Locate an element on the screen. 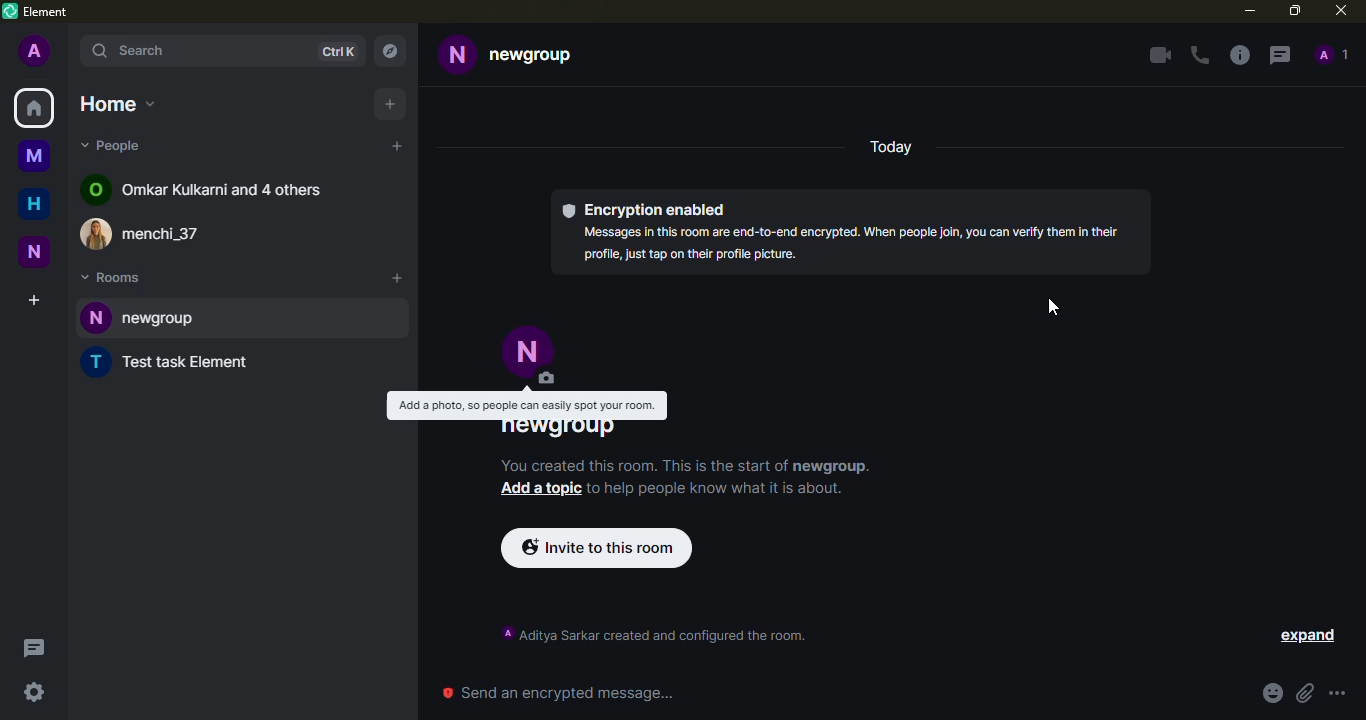  Test task Element is located at coordinates (188, 361).